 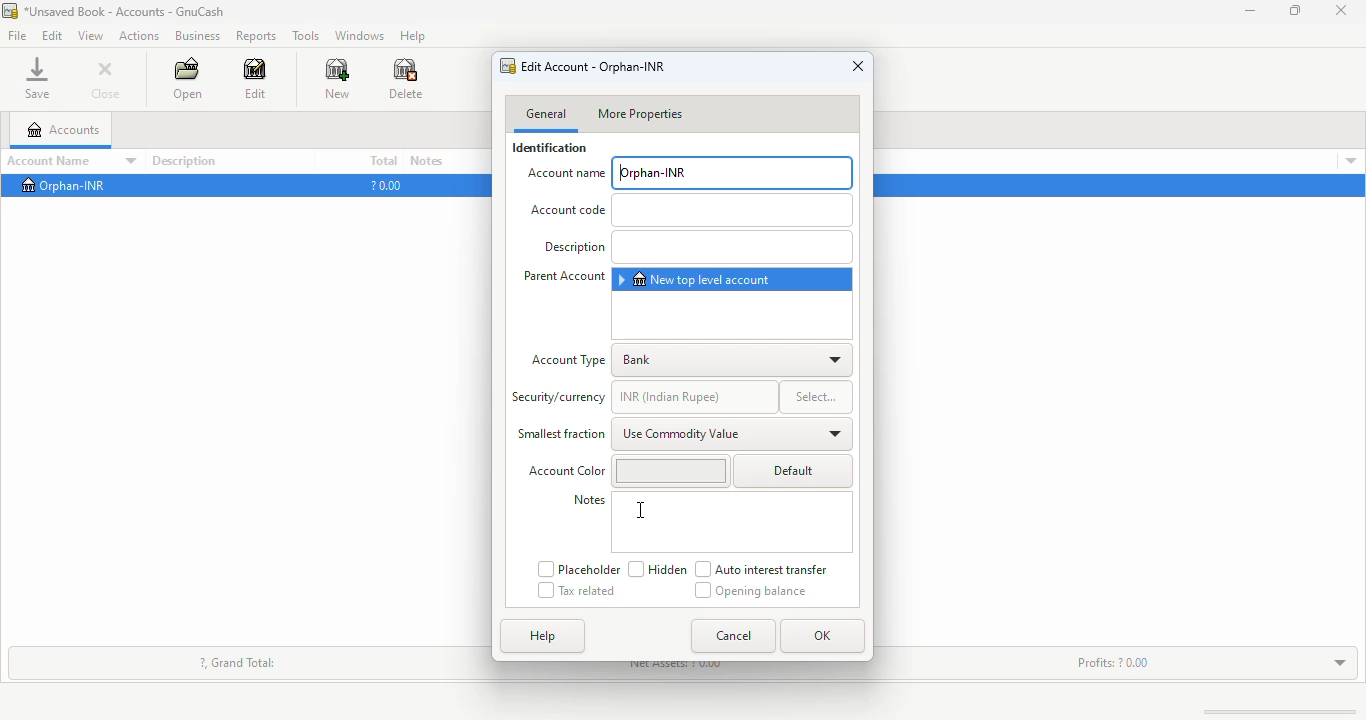 I want to click on title, so click(x=125, y=12).